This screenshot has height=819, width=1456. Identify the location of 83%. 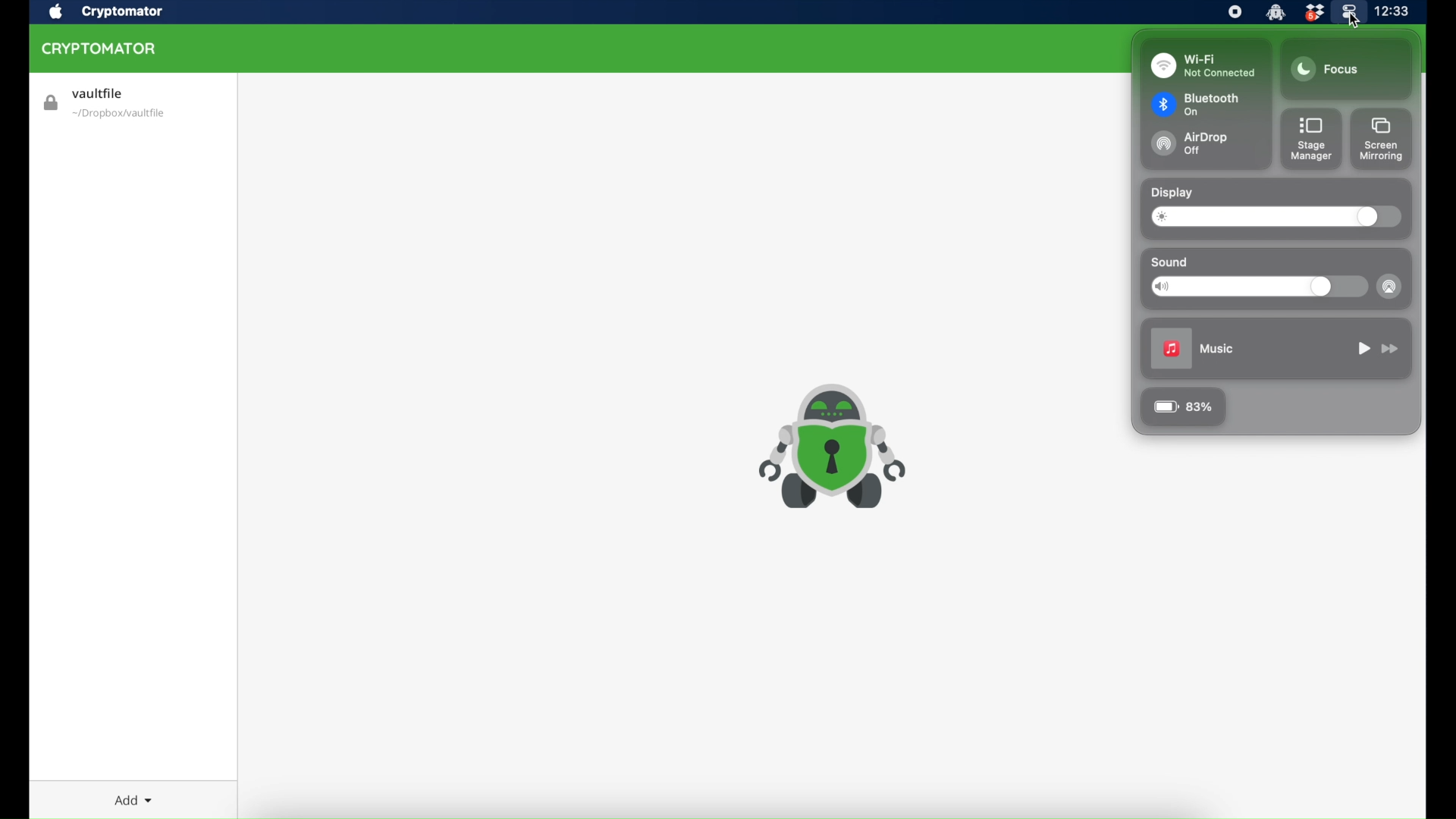
(1184, 406).